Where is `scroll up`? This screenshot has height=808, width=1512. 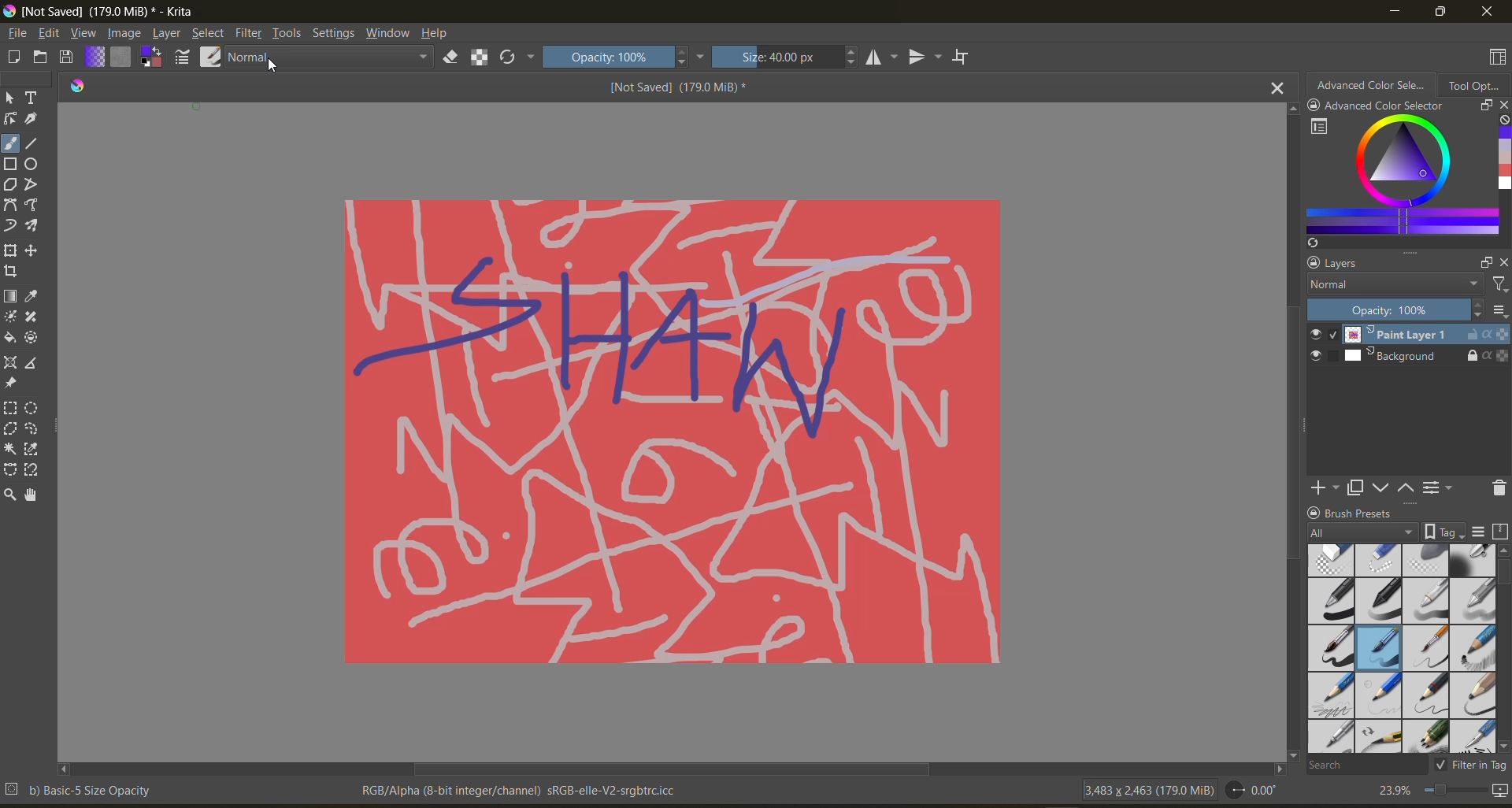 scroll up is located at coordinates (1503, 551).